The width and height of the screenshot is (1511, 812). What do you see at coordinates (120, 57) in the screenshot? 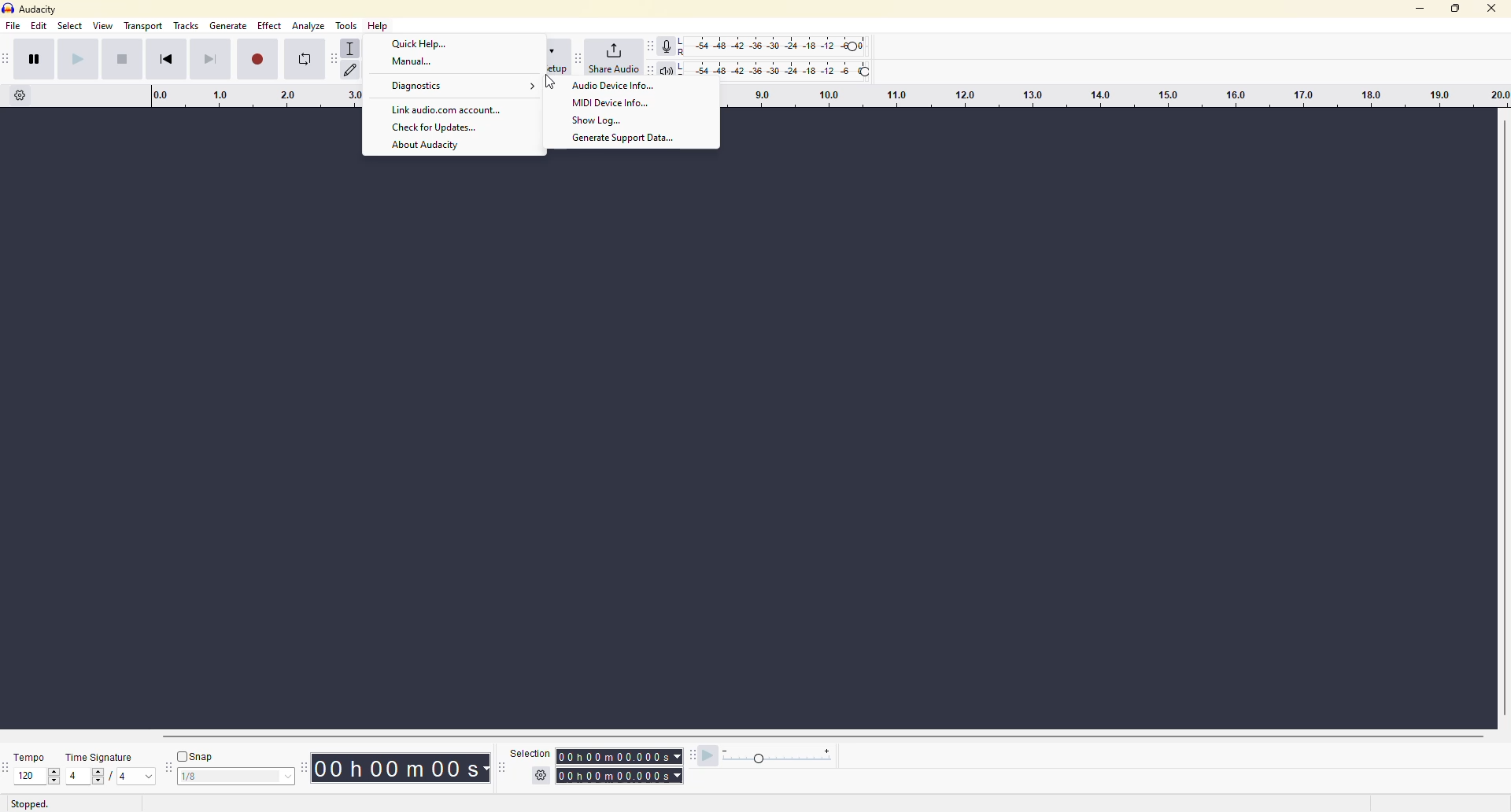
I see `stop` at bounding box center [120, 57].